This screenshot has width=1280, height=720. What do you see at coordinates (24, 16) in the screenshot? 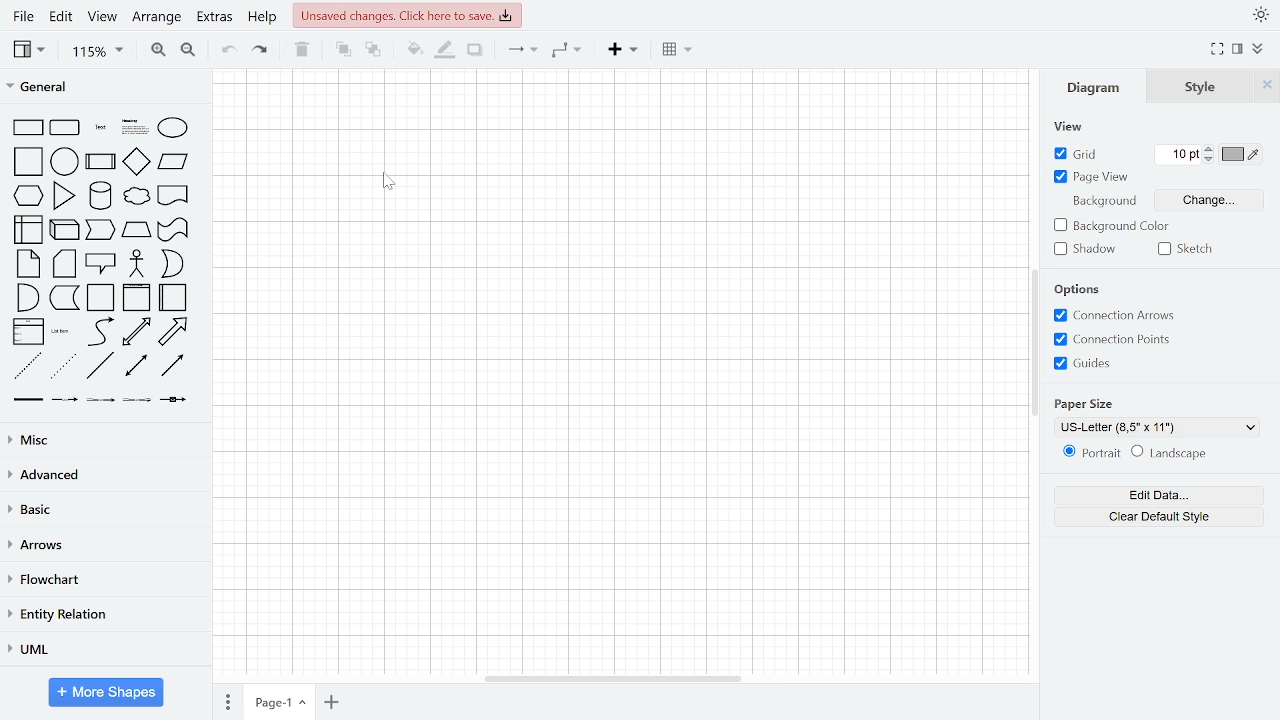
I see `file` at bounding box center [24, 16].